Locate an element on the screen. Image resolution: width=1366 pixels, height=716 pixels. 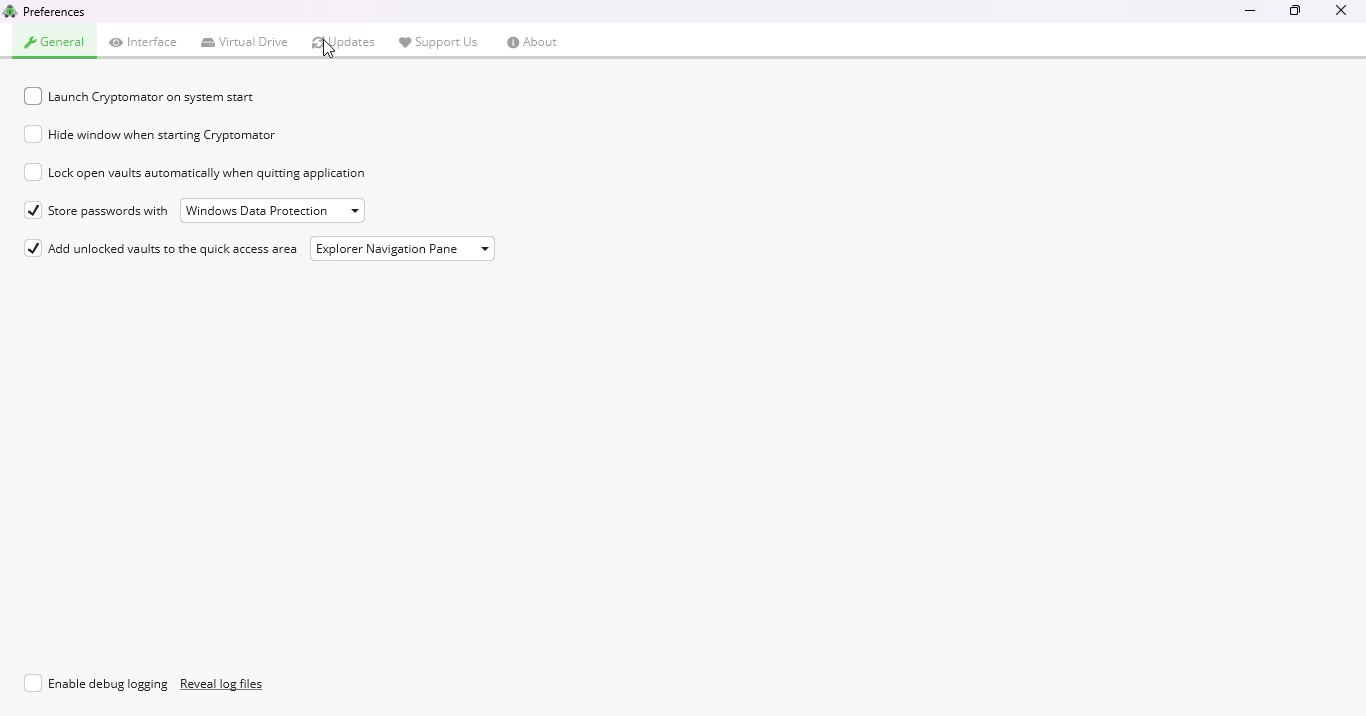
Window Data Protection is located at coordinates (274, 211).